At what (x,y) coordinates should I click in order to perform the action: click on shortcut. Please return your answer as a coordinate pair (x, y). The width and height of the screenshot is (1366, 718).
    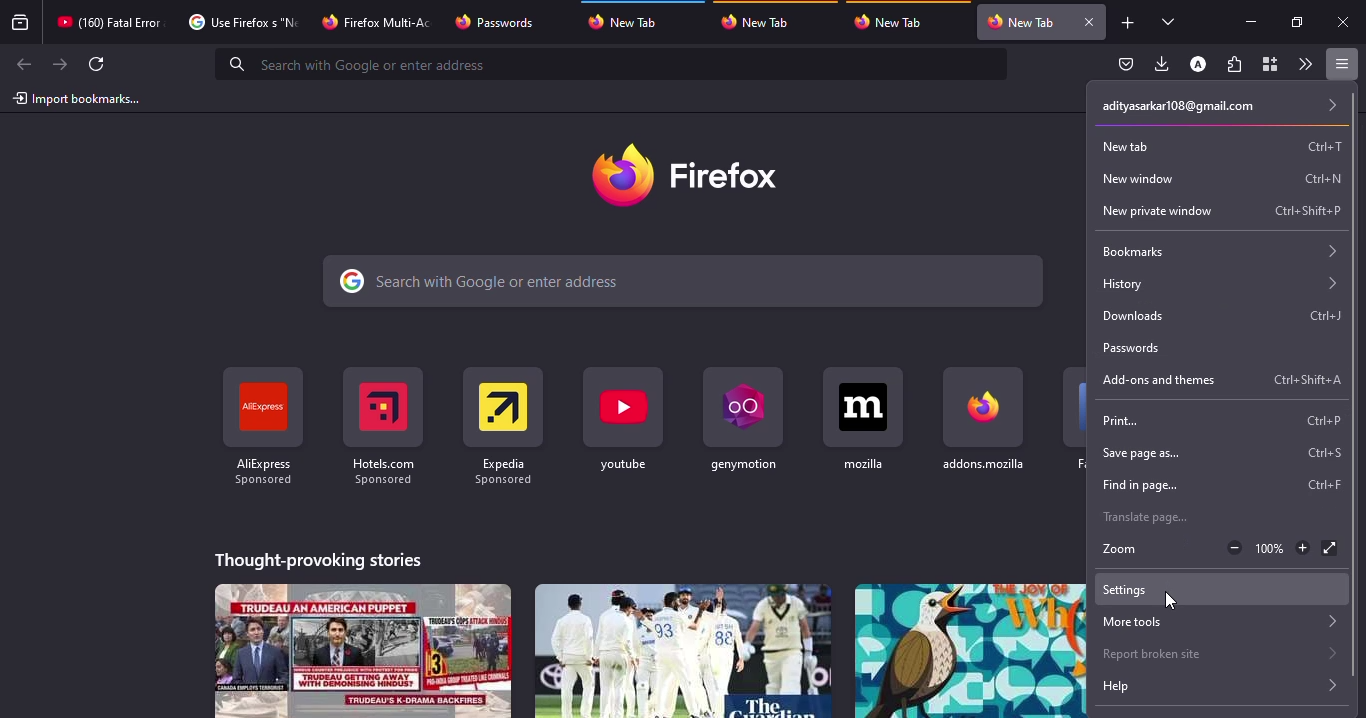
    Looking at the image, I should click on (382, 425).